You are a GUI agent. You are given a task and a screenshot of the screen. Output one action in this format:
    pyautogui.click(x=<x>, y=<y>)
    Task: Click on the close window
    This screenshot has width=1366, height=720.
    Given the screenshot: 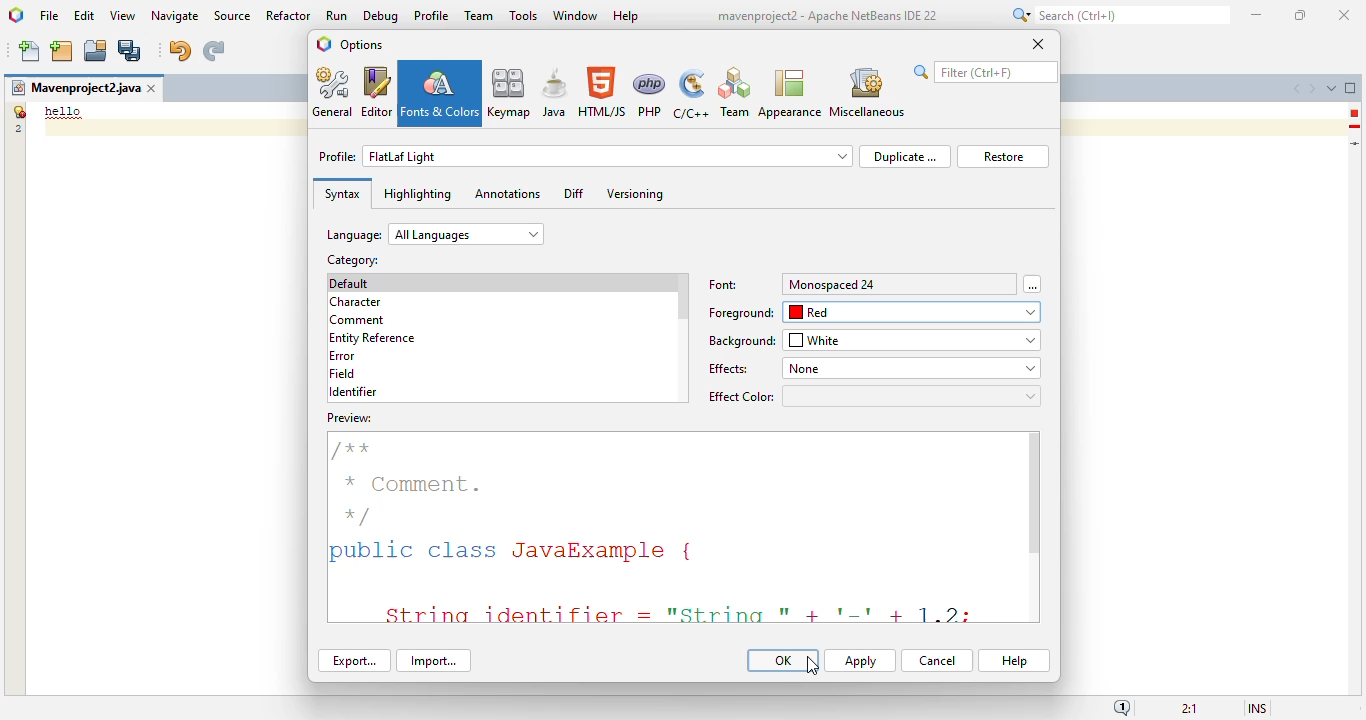 What is the action you would take?
    pyautogui.click(x=153, y=88)
    